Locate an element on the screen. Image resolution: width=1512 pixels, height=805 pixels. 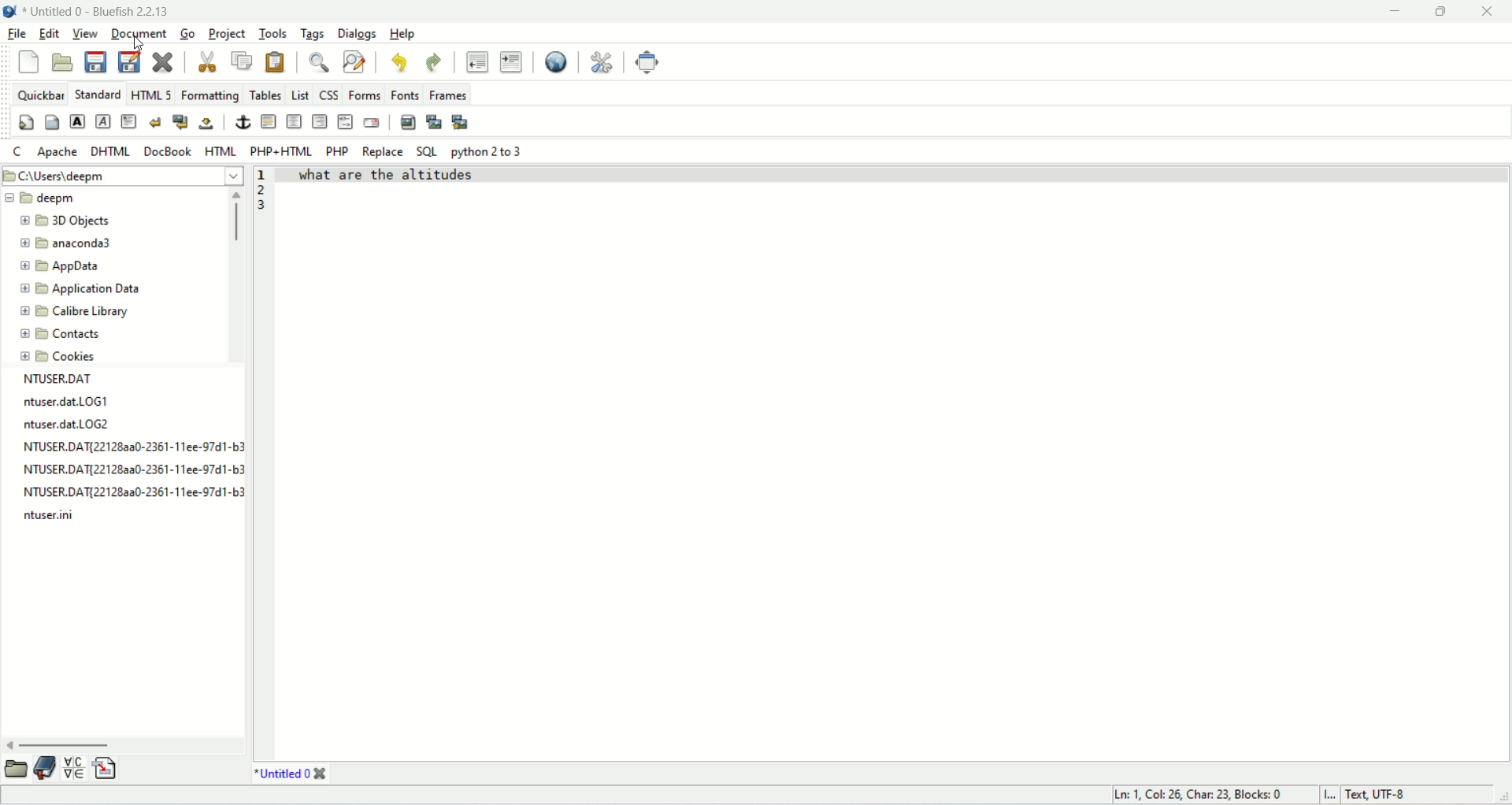
text, UTF-8 is located at coordinates (1401, 795).